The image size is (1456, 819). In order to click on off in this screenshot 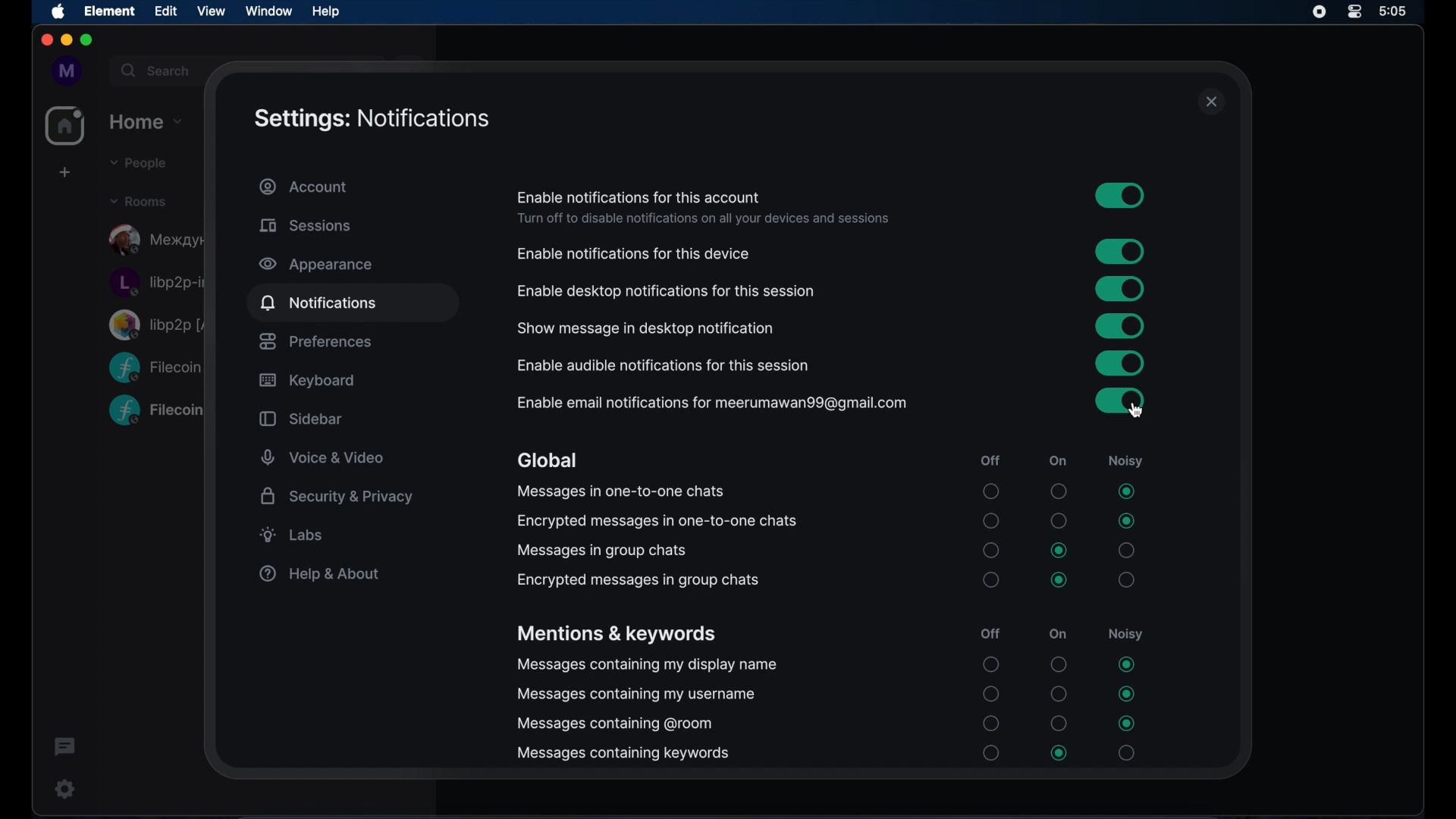, I will do `click(991, 633)`.